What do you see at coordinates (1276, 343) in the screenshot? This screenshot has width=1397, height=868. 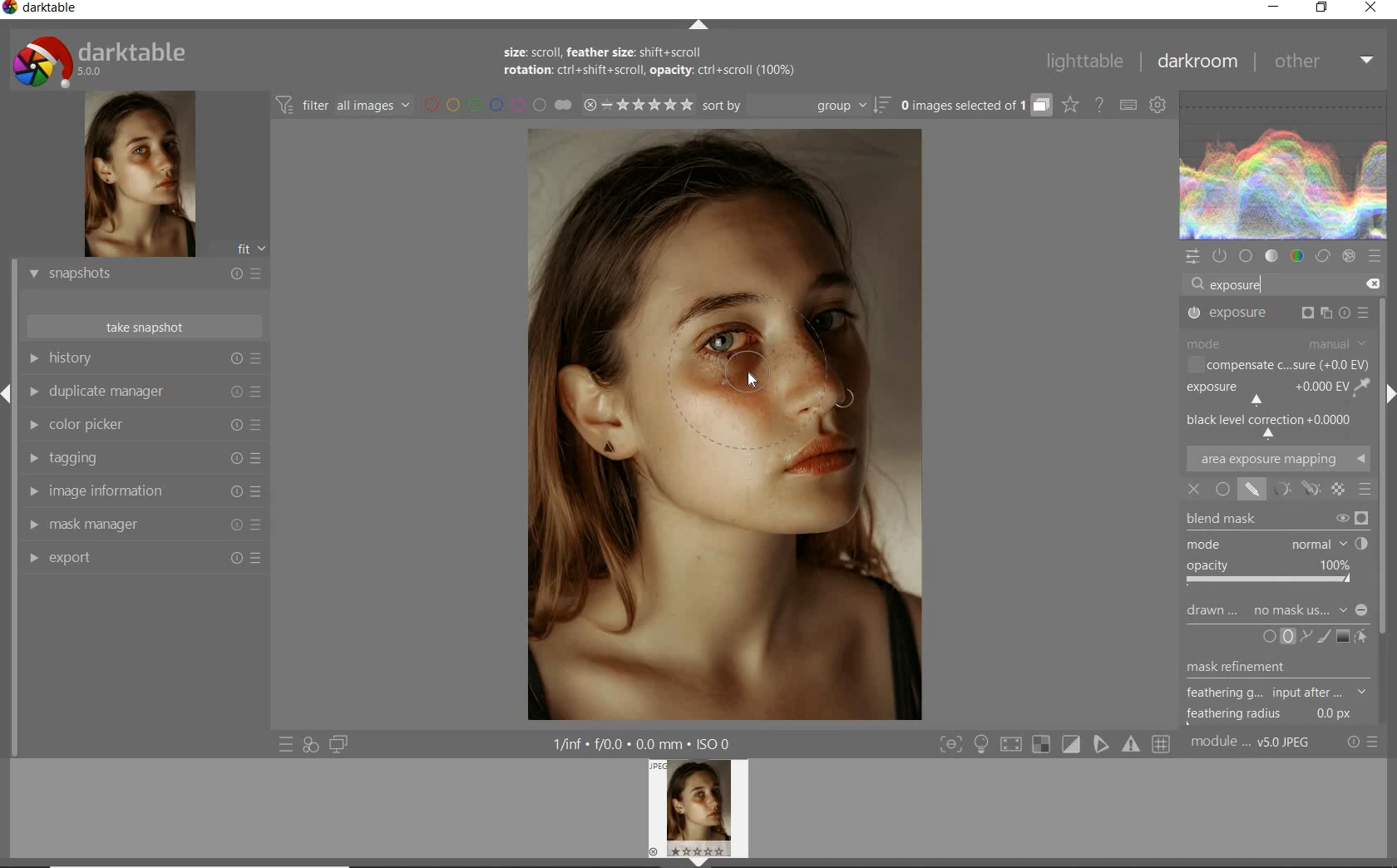 I see `MODULE` at bounding box center [1276, 343].